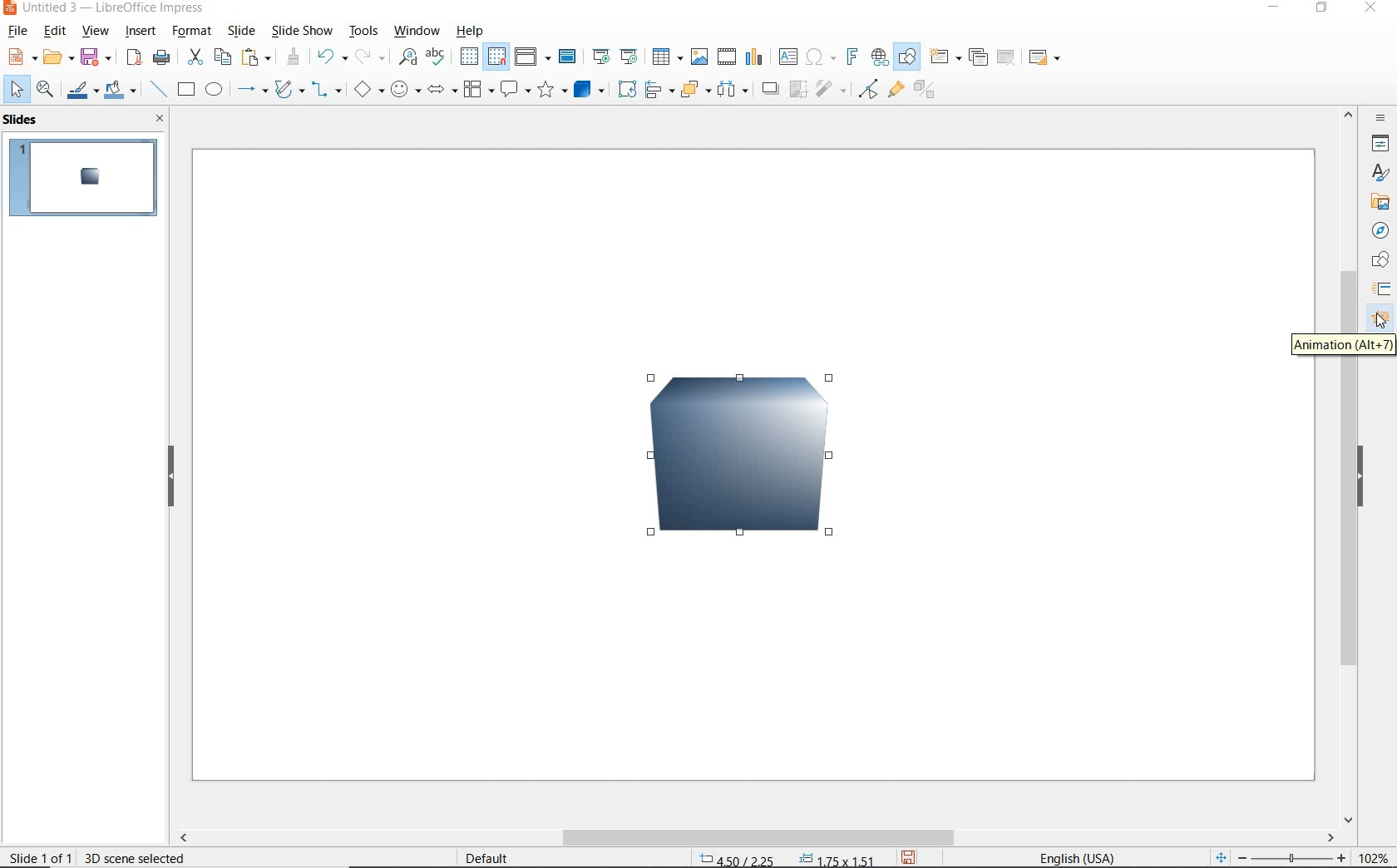 This screenshot has height=868, width=1397. What do you see at coordinates (55, 32) in the screenshot?
I see `edit` at bounding box center [55, 32].